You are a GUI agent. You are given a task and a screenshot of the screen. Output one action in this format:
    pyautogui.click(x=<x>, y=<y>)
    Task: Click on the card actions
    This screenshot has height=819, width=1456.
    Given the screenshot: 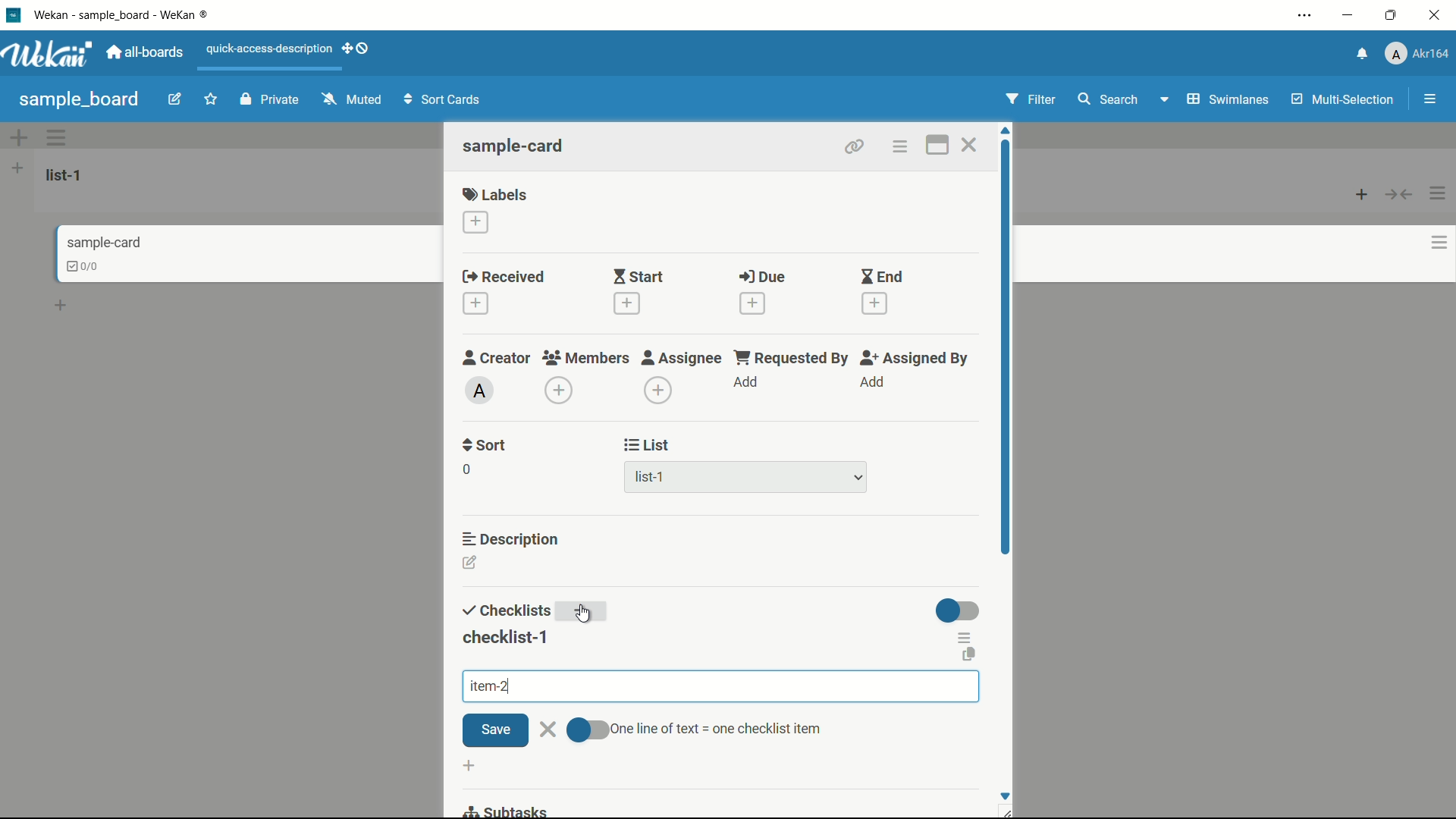 What is the action you would take?
    pyautogui.click(x=1439, y=243)
    